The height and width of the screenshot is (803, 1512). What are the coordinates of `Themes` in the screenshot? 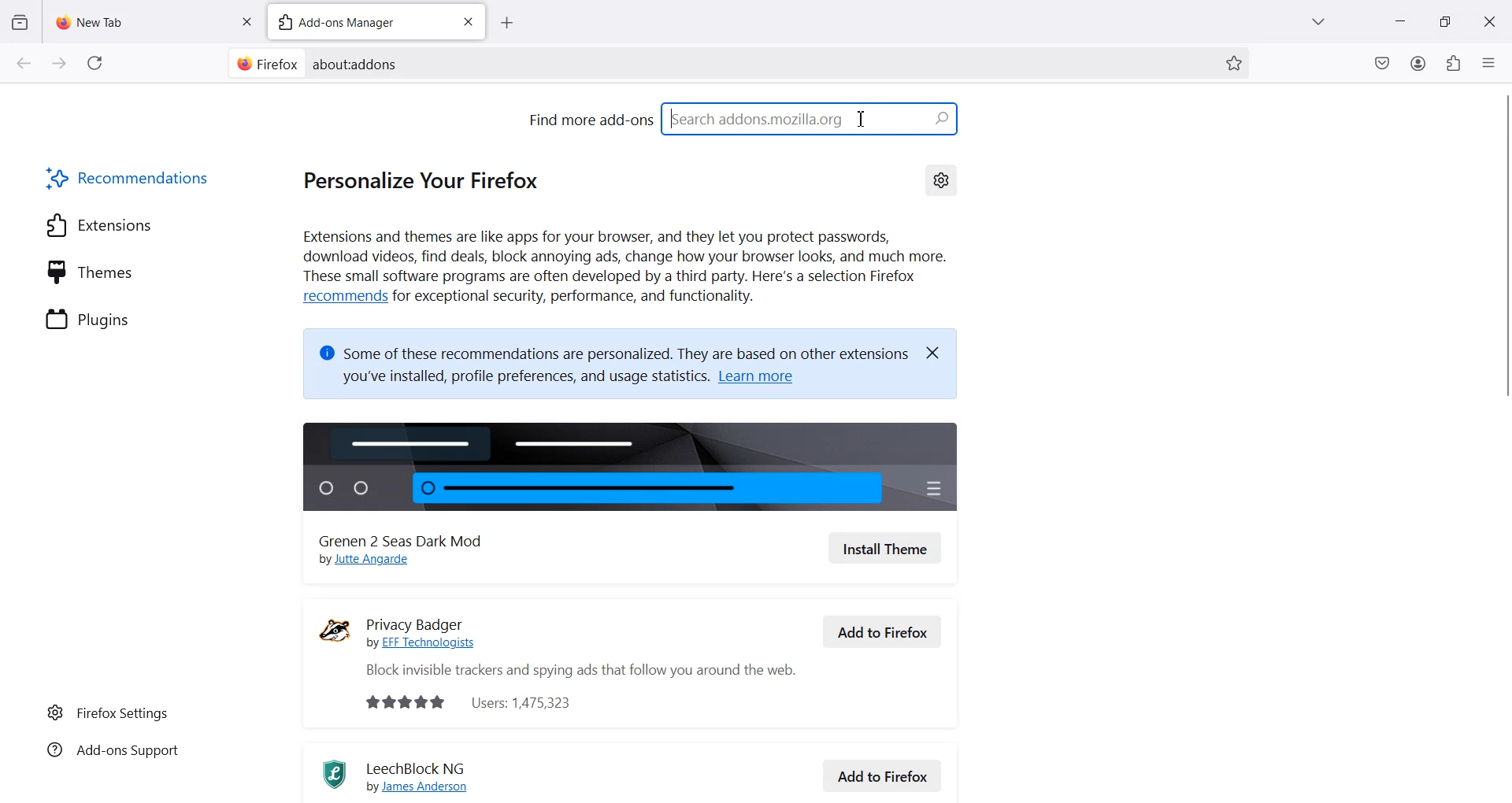 It's located at (91, 271).